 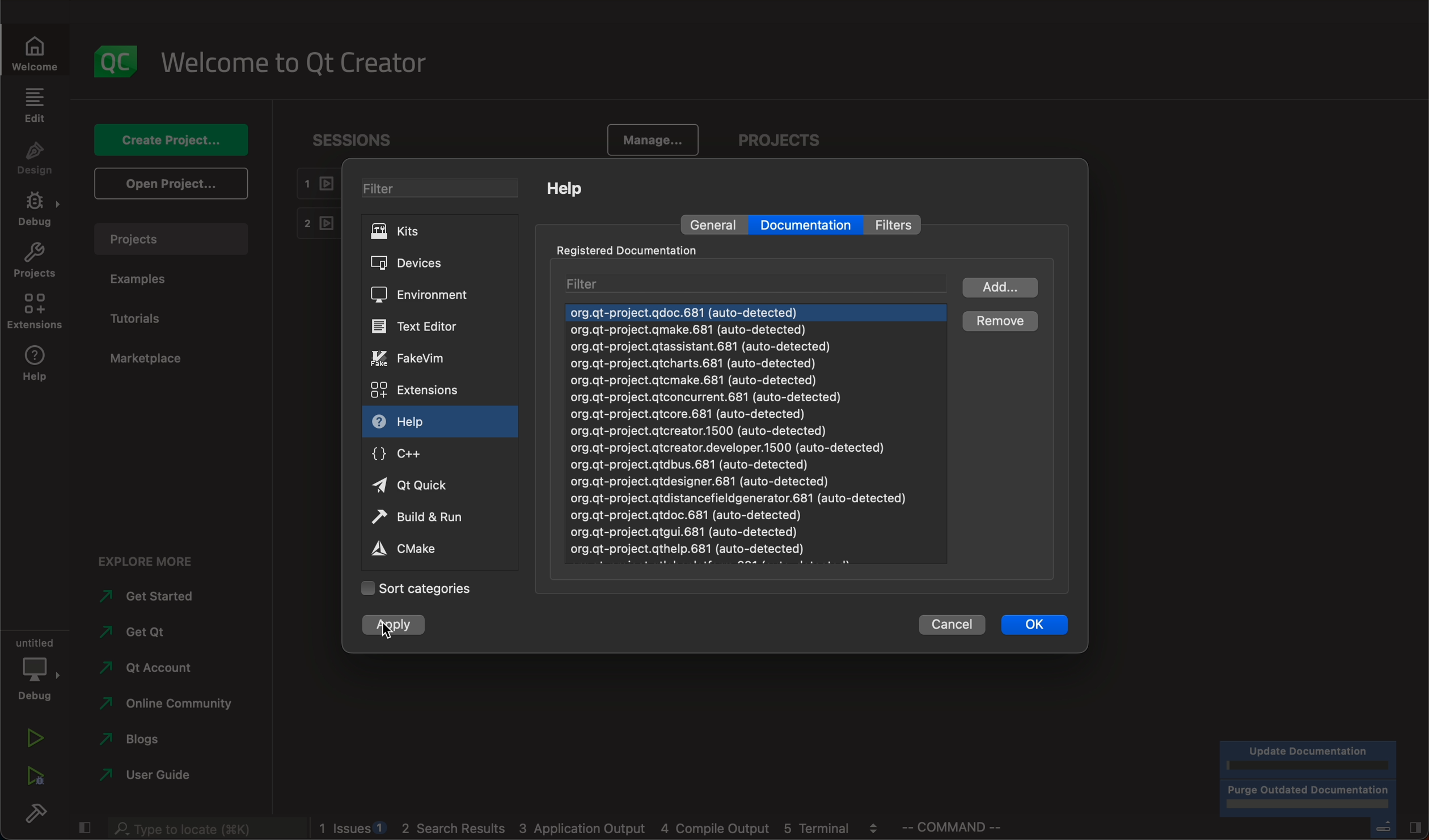 What do you see at coordinates (434, 262) in the screenshot?
I see `devices` at bounding box center [434, 262].